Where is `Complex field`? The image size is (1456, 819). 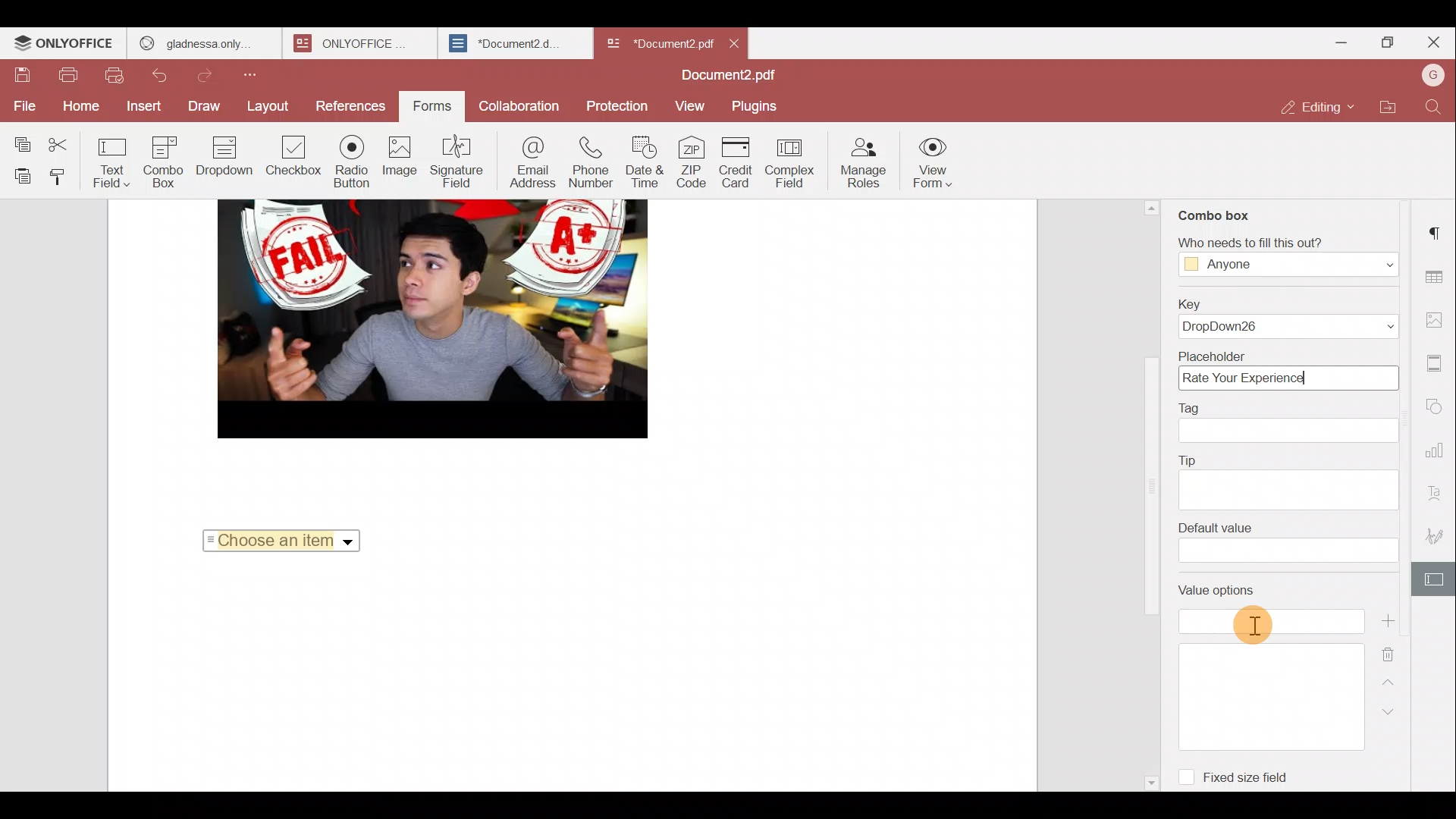
Complex field is located at coordinates (792, 165).